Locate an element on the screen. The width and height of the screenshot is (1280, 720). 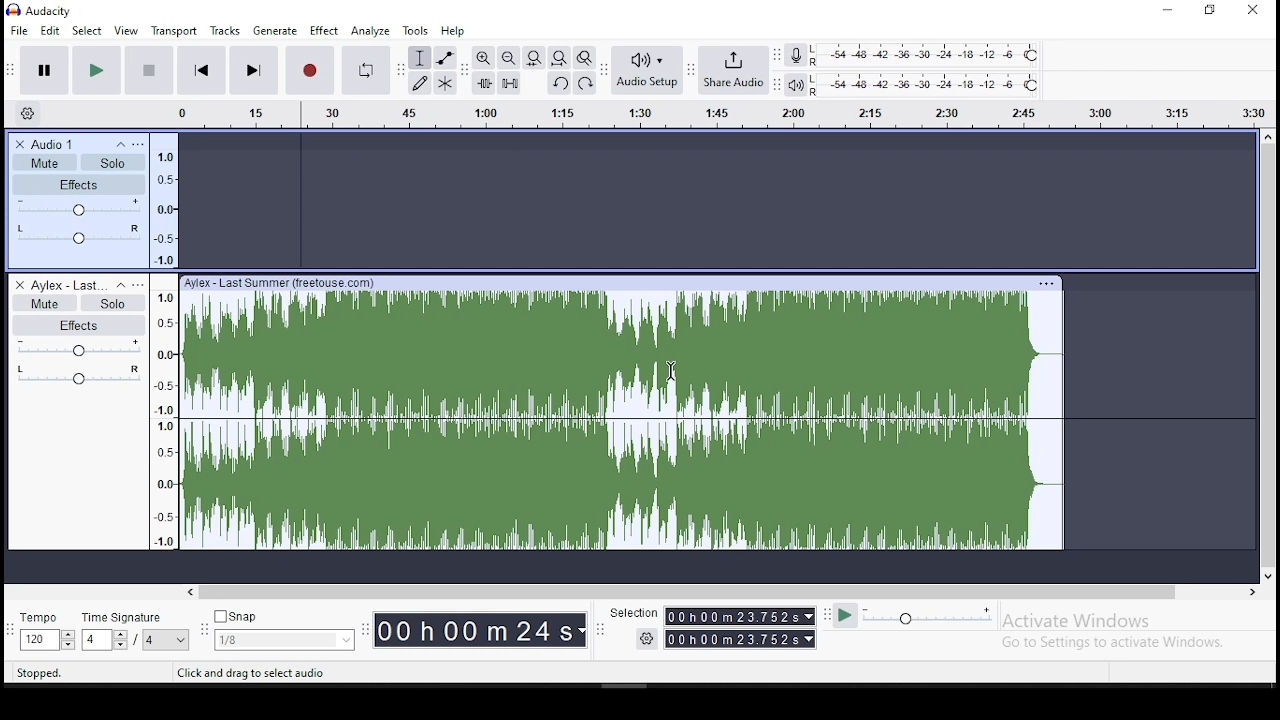
undo is located at coordinates (559, 83).